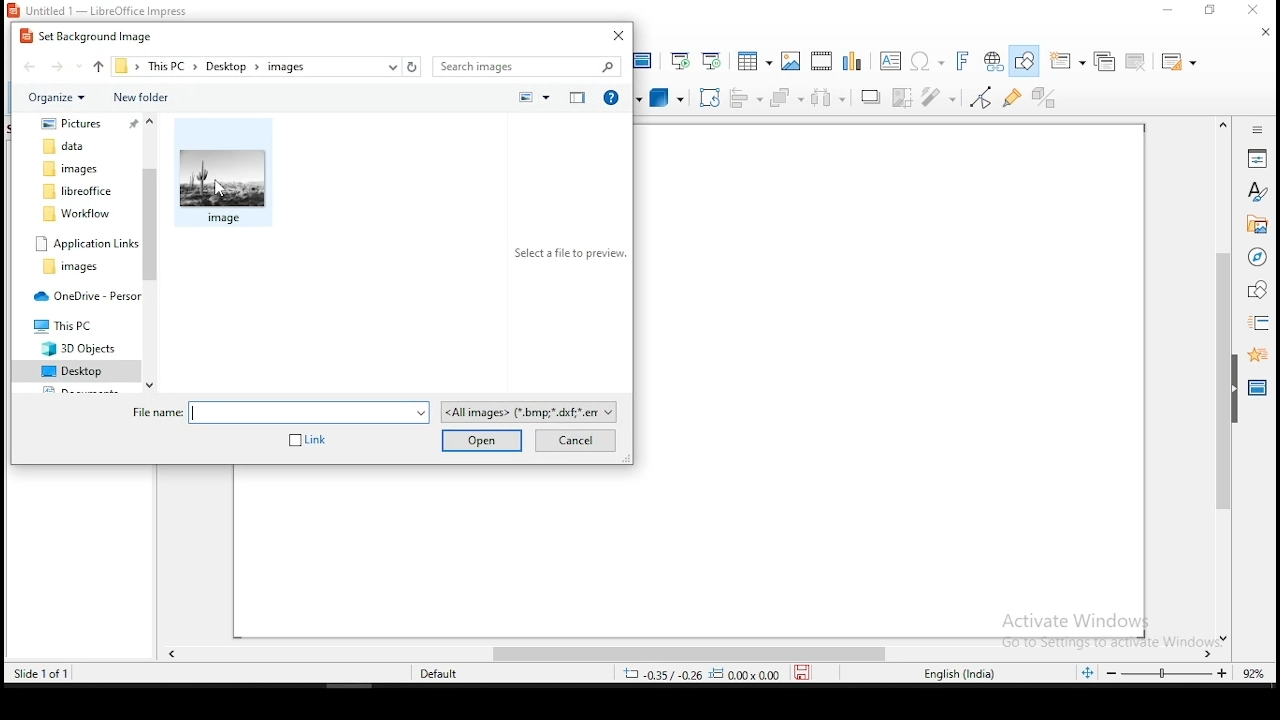  What do you see at coordinates (144, 97) in the screenshot?
I see `new folder` at bounding box center [144, 97].